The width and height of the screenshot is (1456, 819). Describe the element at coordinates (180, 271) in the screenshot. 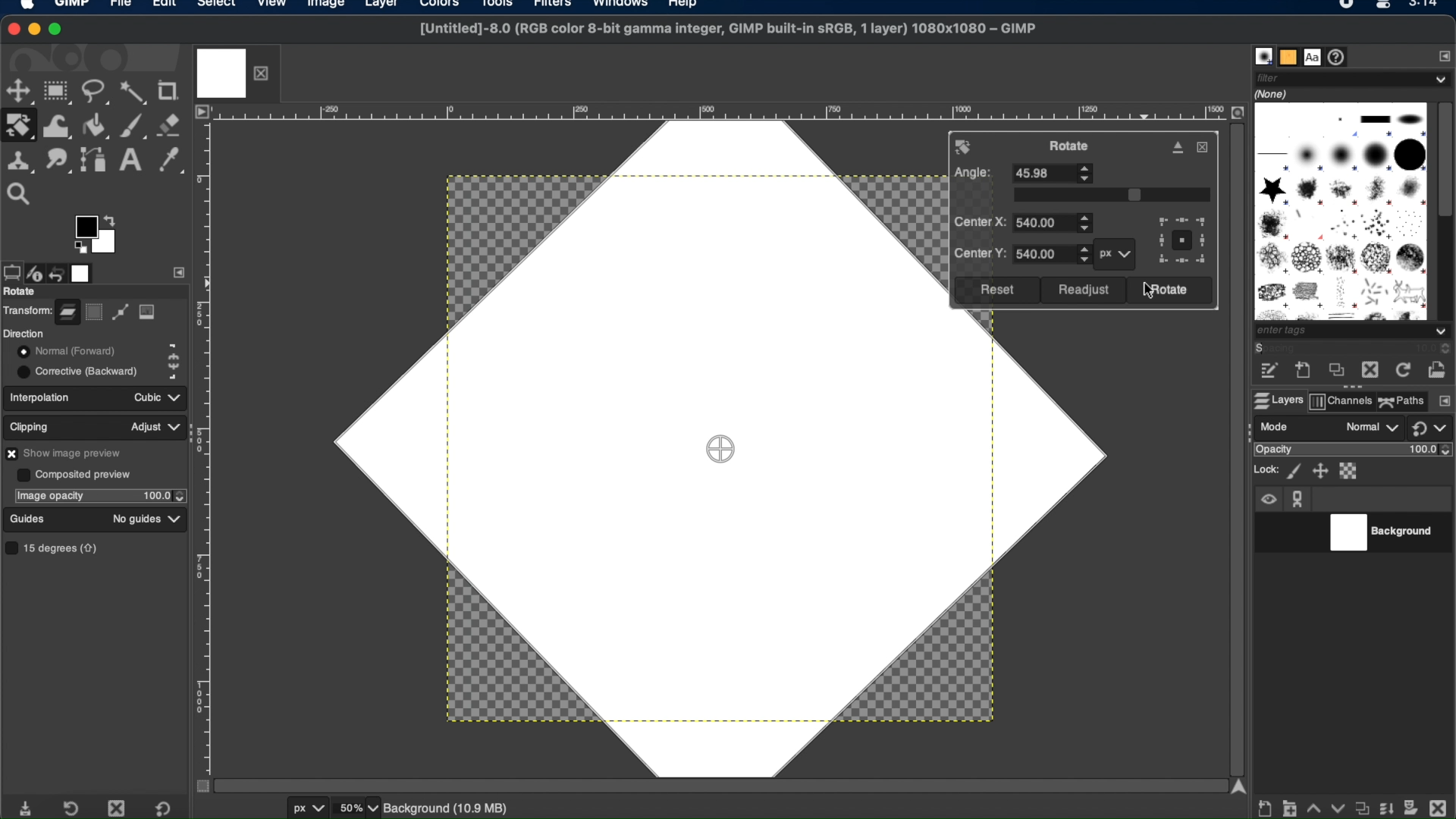

I see `side bar settings` at that location.